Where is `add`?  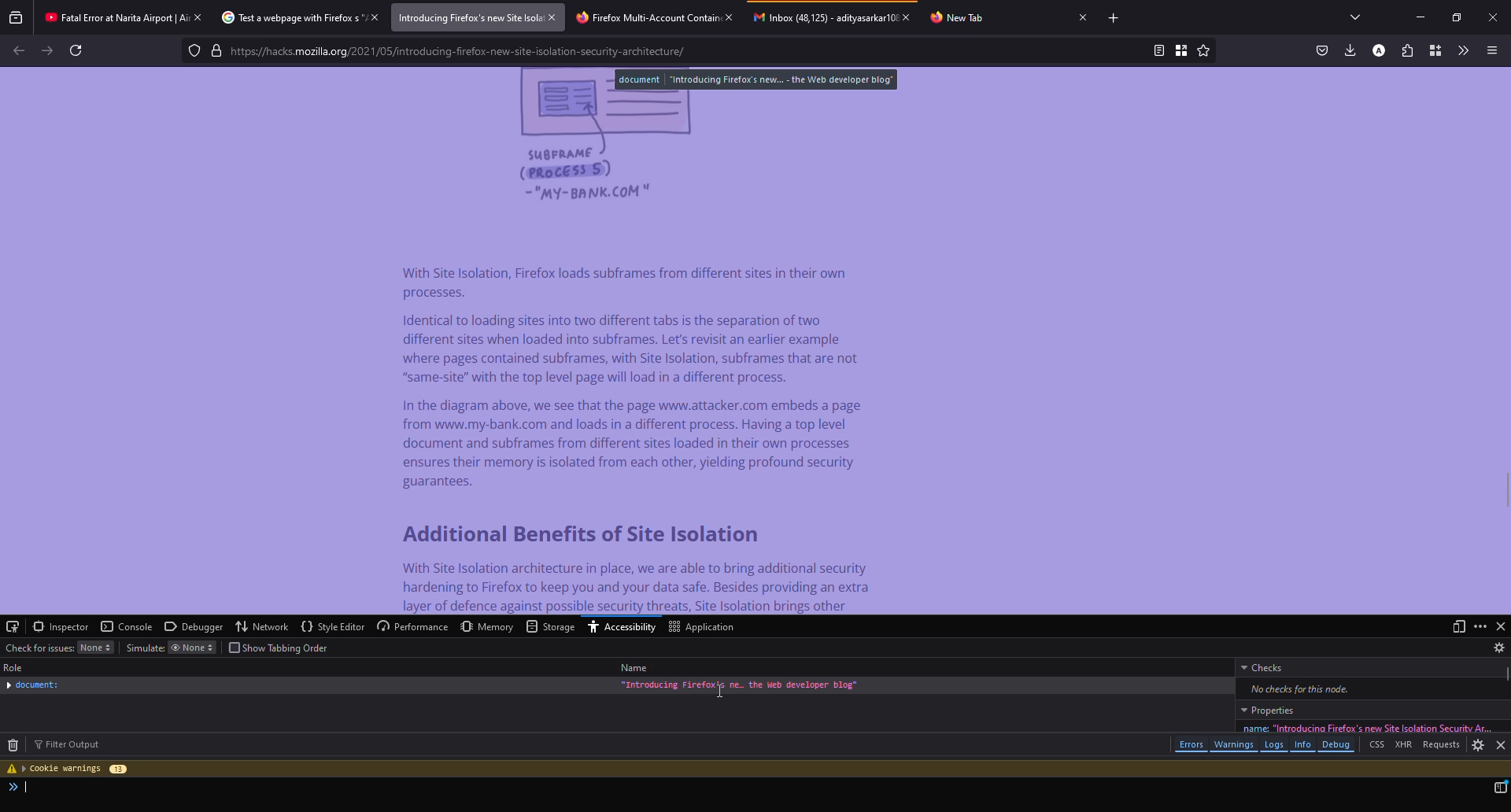 add is located at coordinates (1115, 19).